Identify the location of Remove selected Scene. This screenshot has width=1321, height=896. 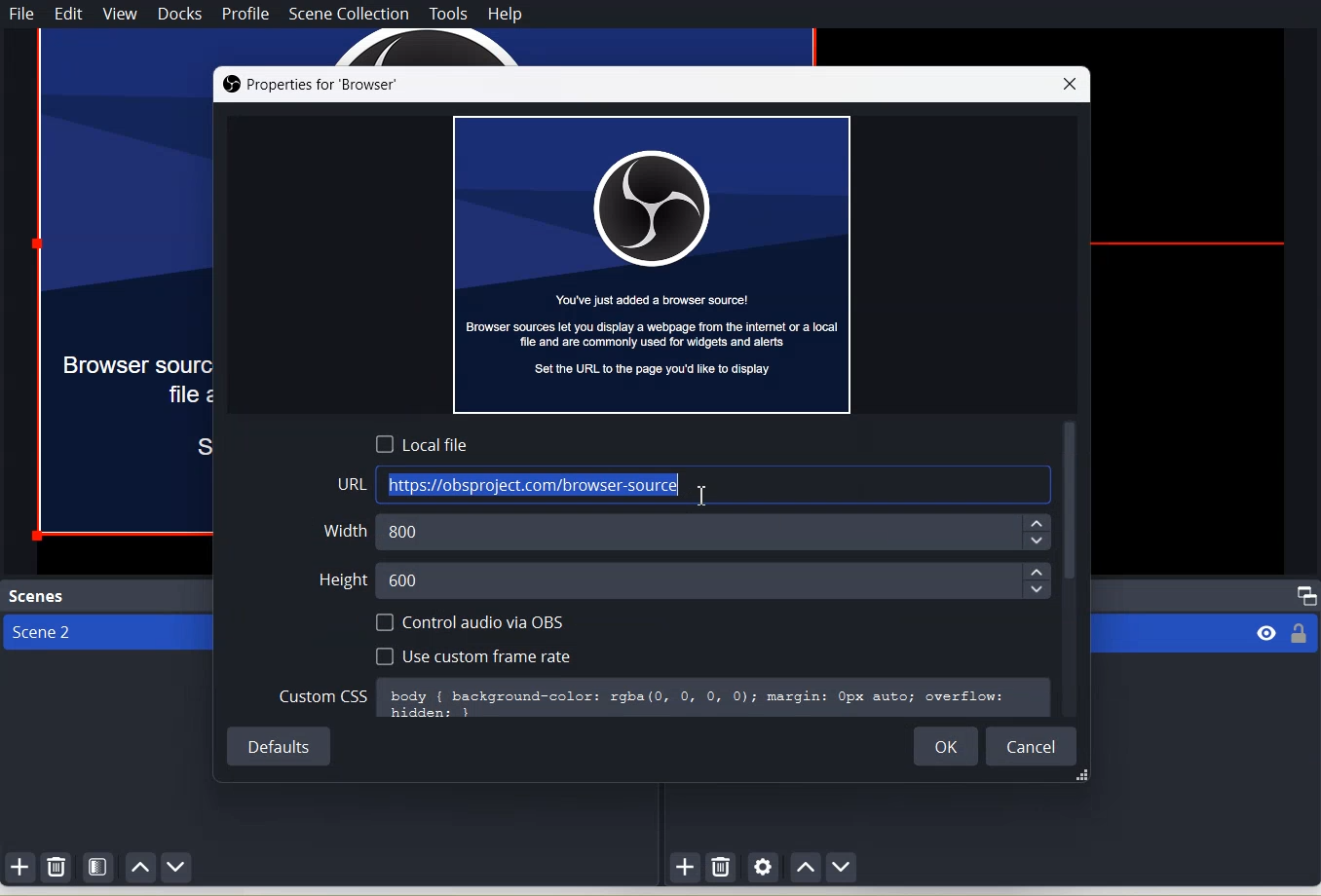
(57, 868).